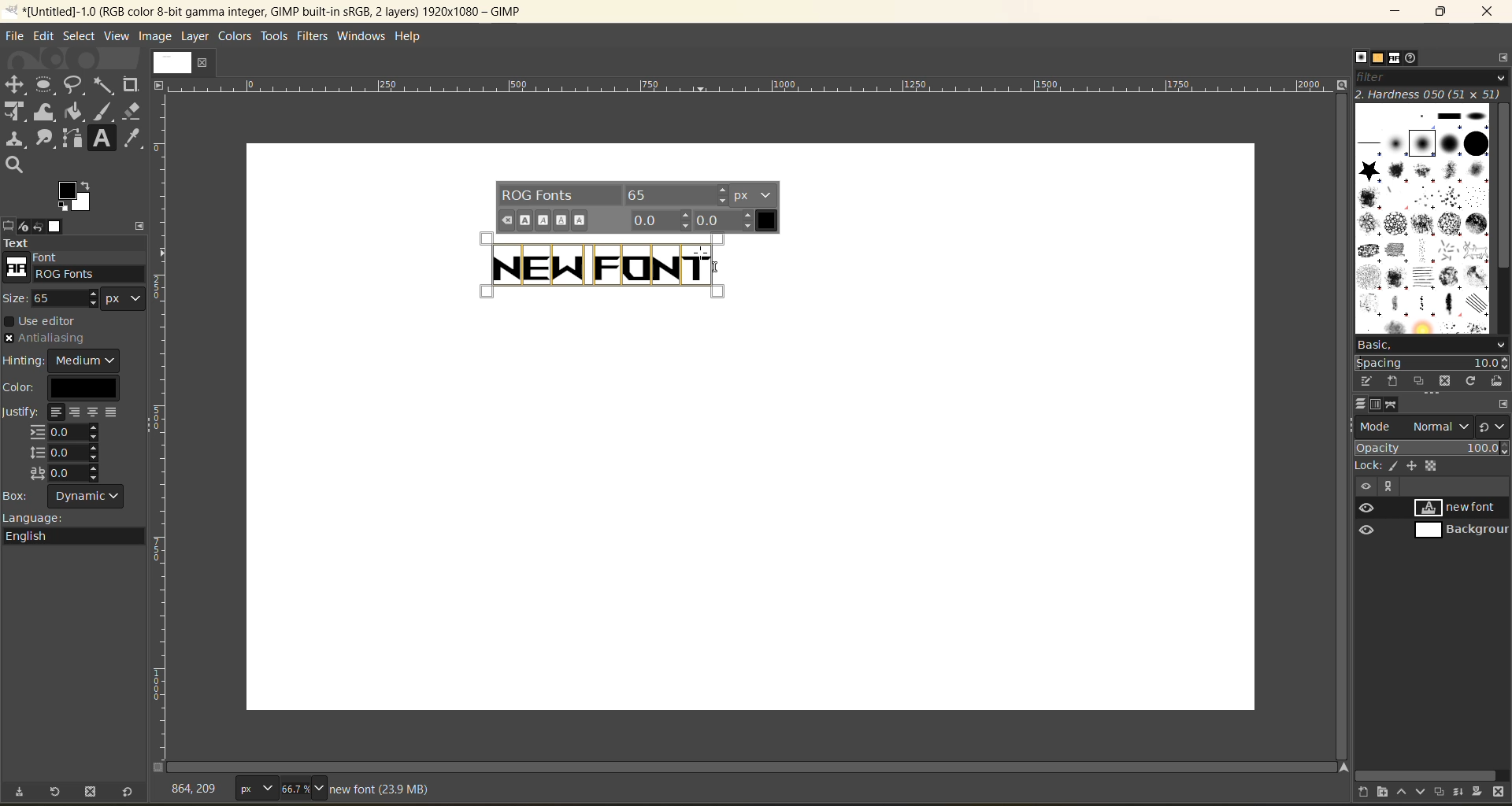 The image size is (1512, 806). What do you see at coordinates (379, 789) in the screenshot?
I see `metadata` at bounding box center [379, 789].